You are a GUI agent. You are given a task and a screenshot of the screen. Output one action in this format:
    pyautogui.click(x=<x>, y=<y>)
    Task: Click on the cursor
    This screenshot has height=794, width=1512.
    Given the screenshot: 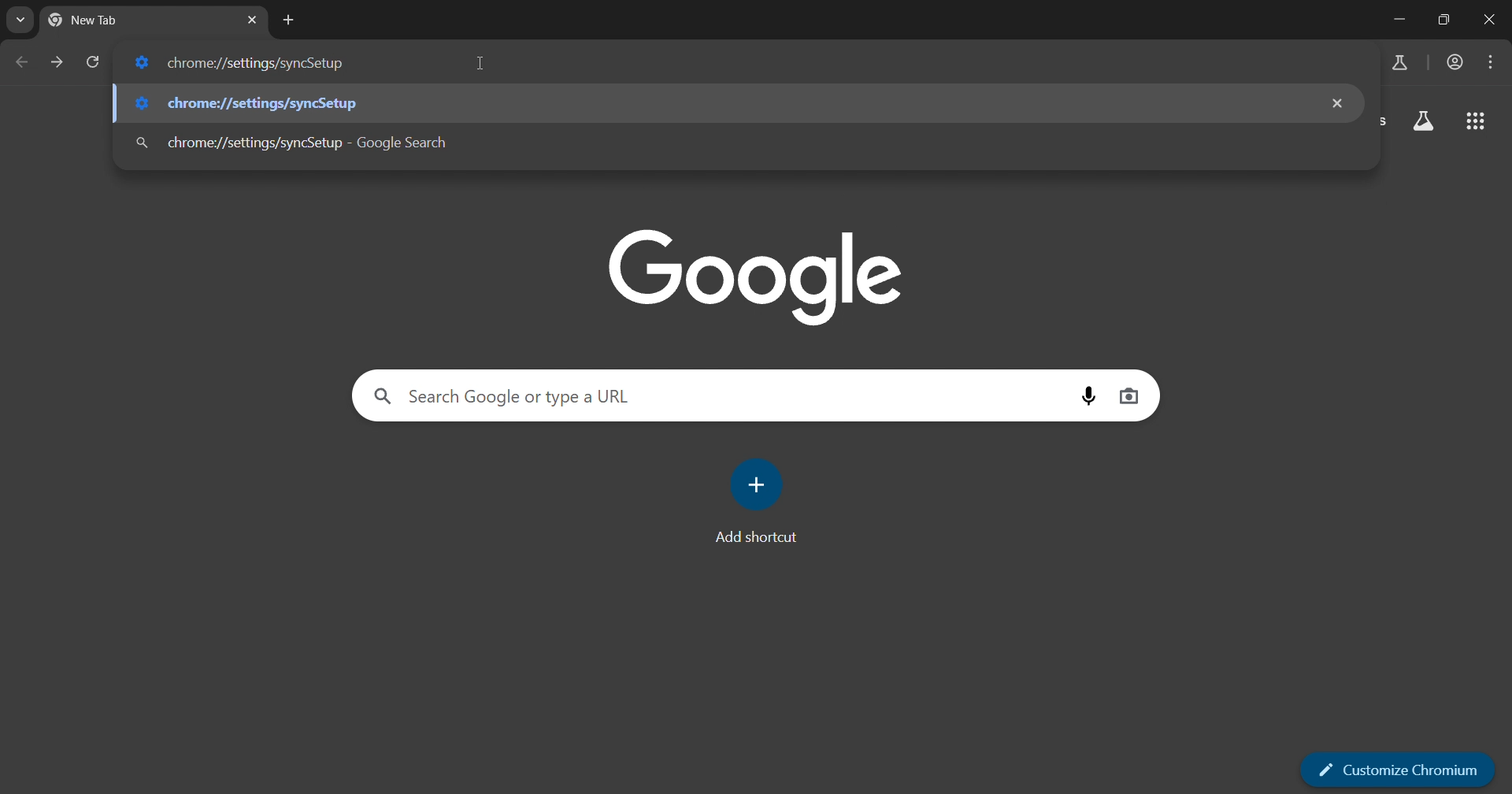 What is the action you would take?
    pyautogui.click(x=479, y=64)
    